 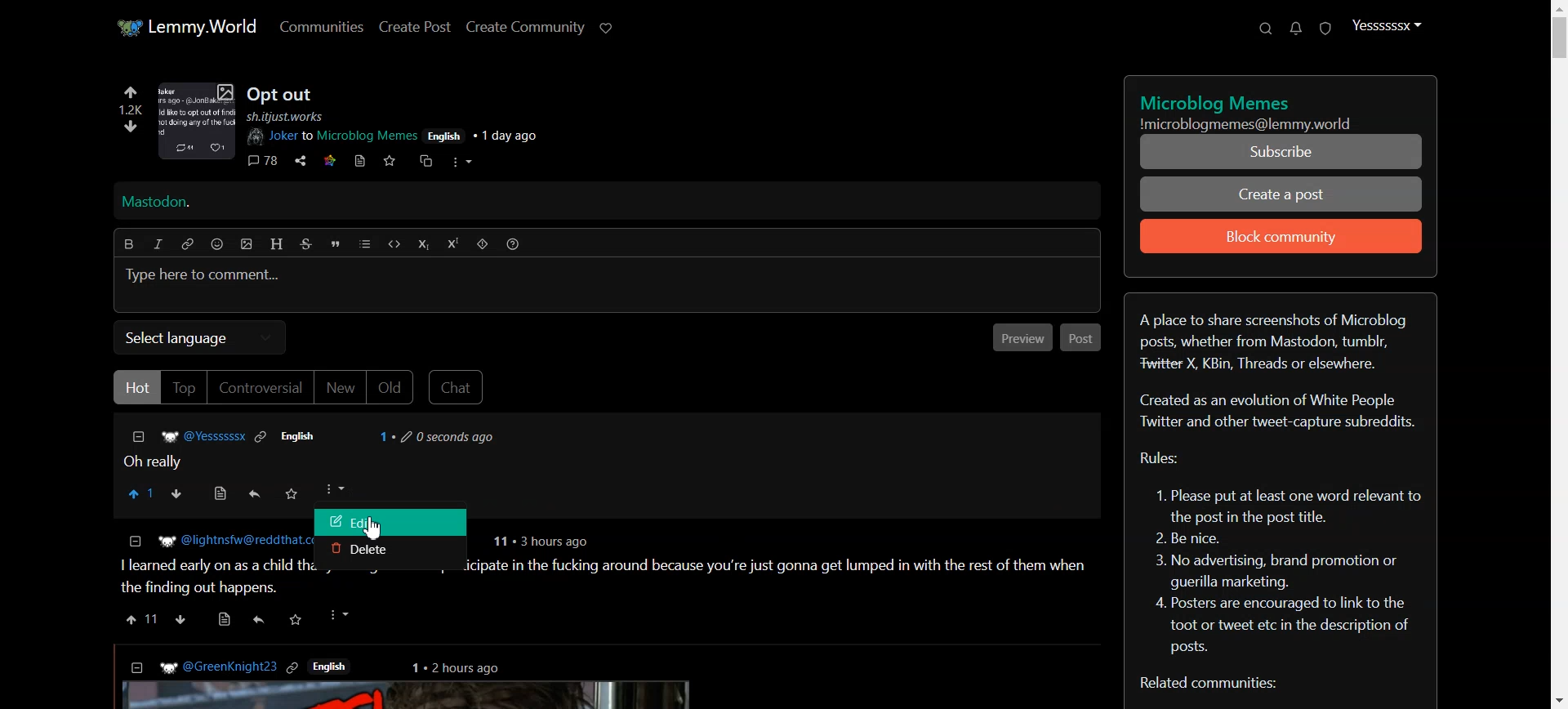 I want to click on Subscript, so click(x=423, y=244).